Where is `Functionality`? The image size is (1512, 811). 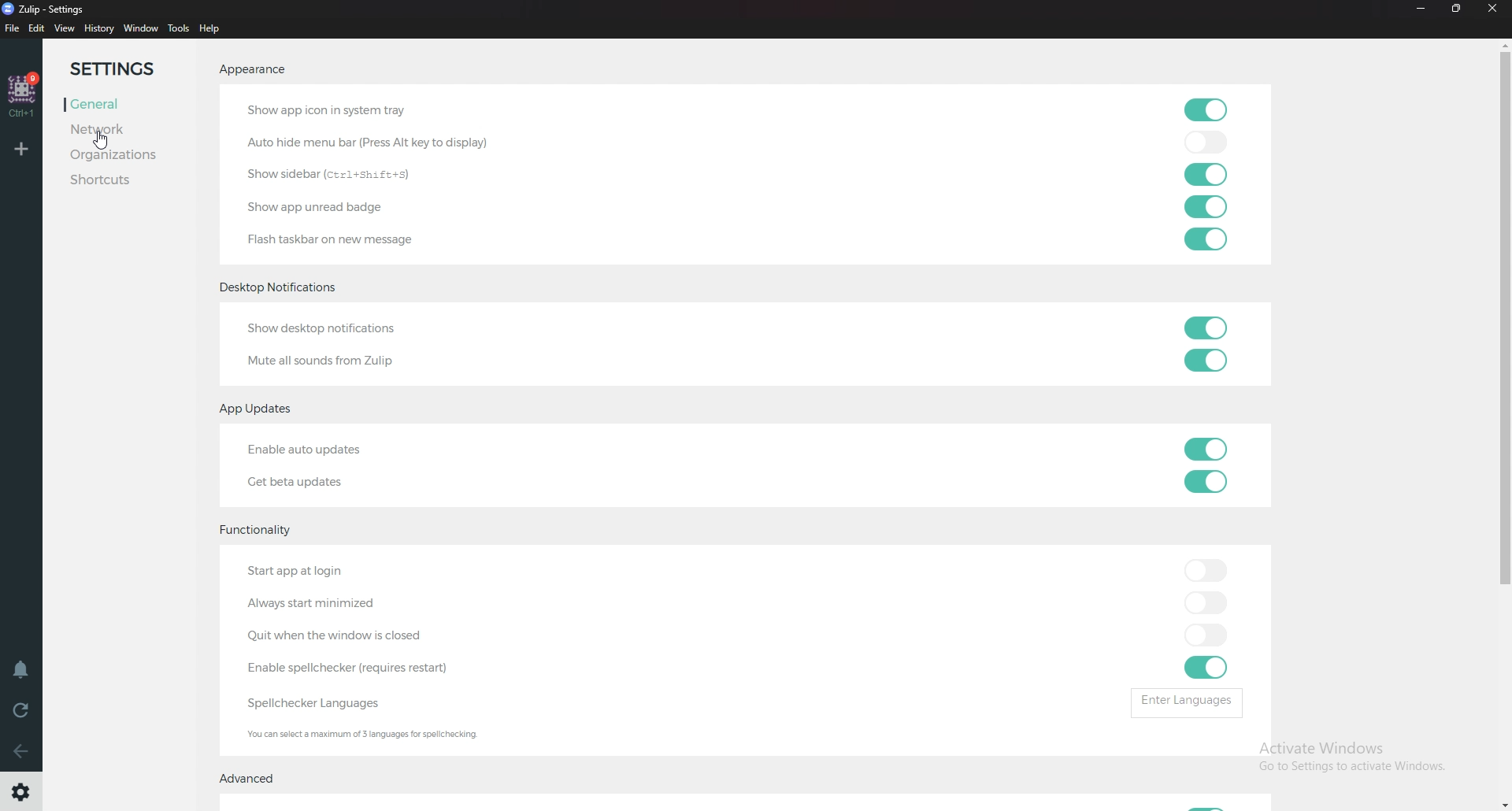 Functionality is located at coordinates (269, 528).